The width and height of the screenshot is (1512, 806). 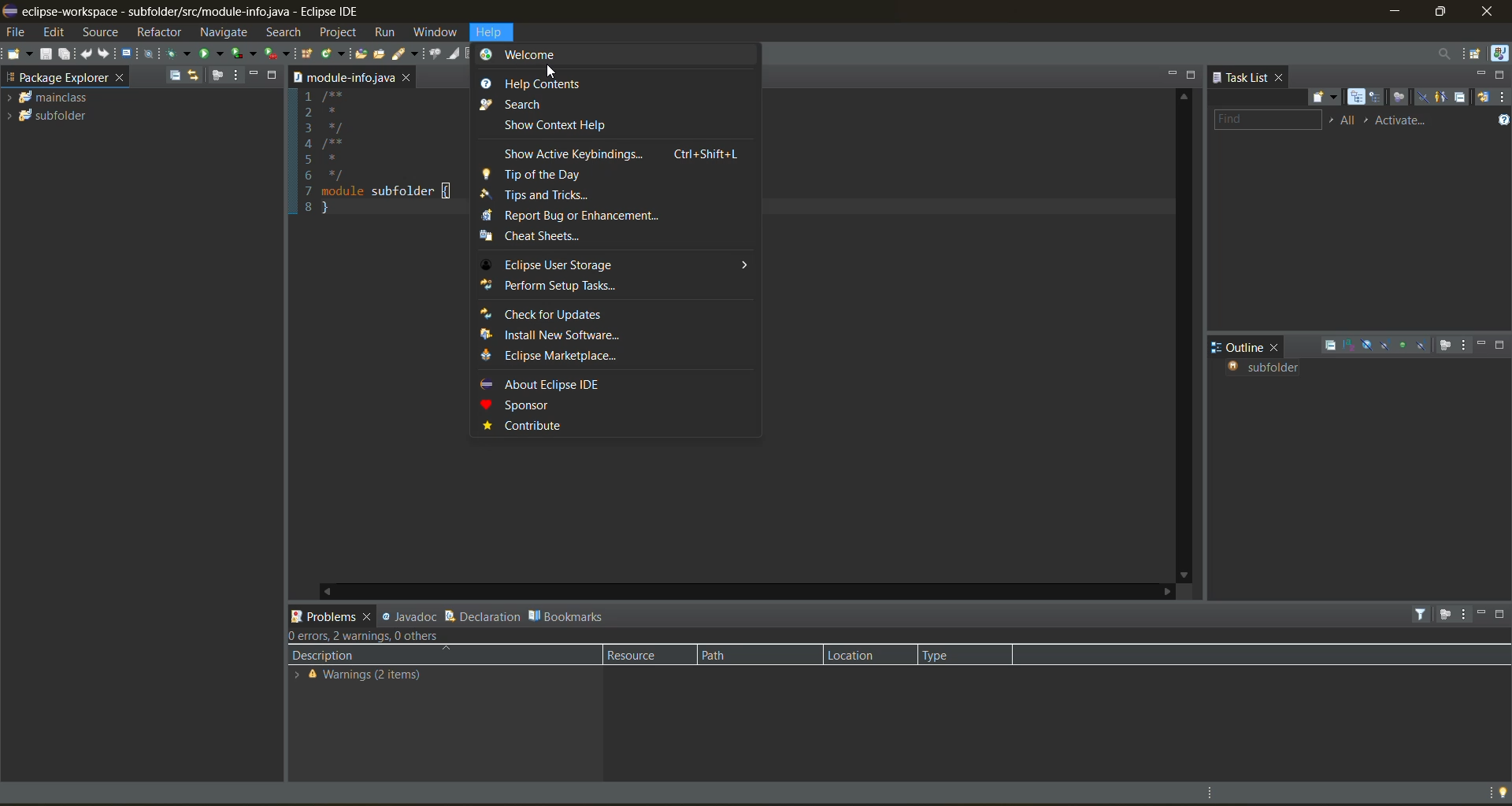 What do you see at coordinates (122, 79) in the screenshot?
I see `close` at bounding box center [122, 79].